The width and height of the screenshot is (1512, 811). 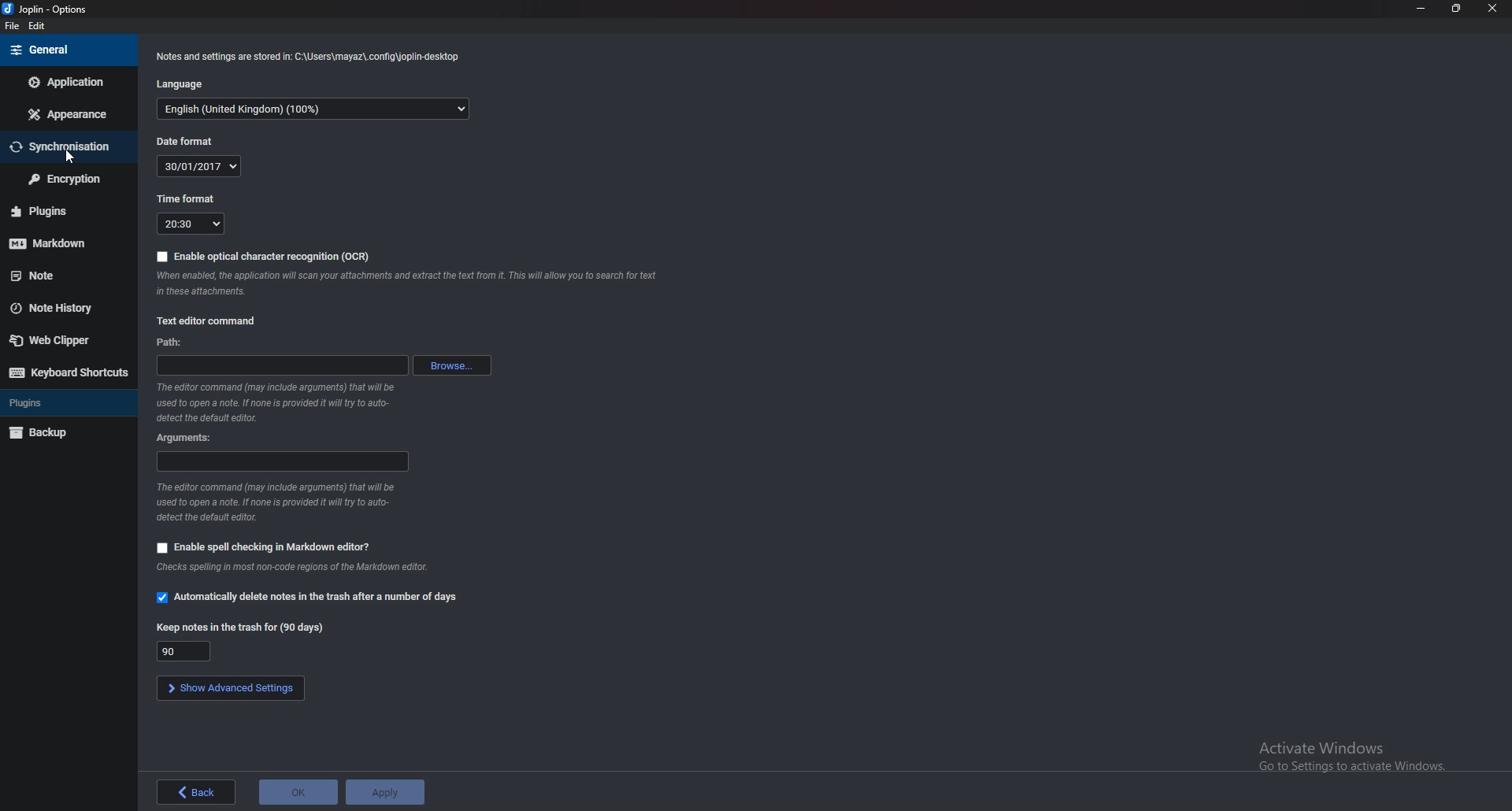 I want to click on markdown, so click(x=61, y=243).